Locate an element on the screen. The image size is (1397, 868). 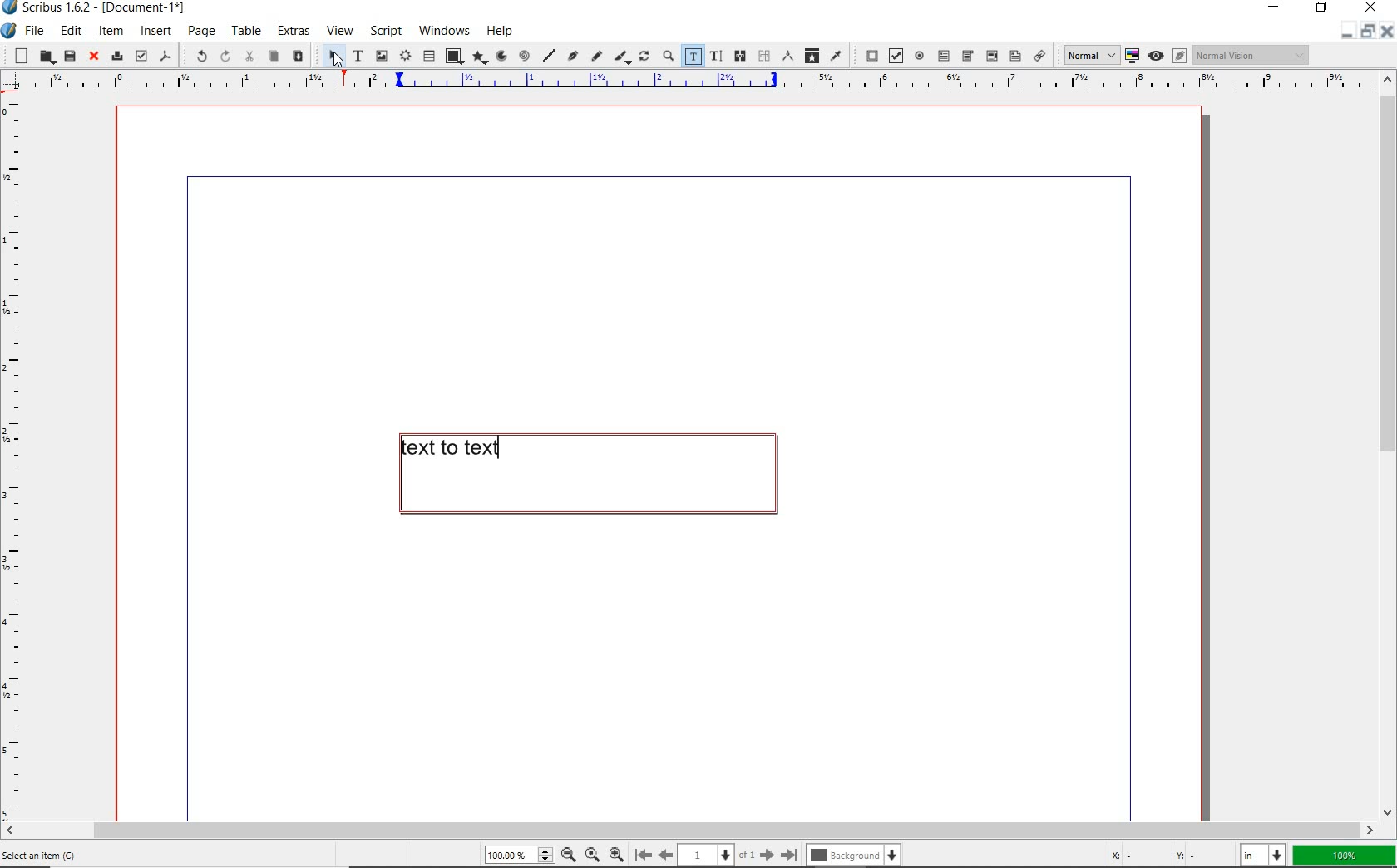
100% is located at coordinates (516, 856).